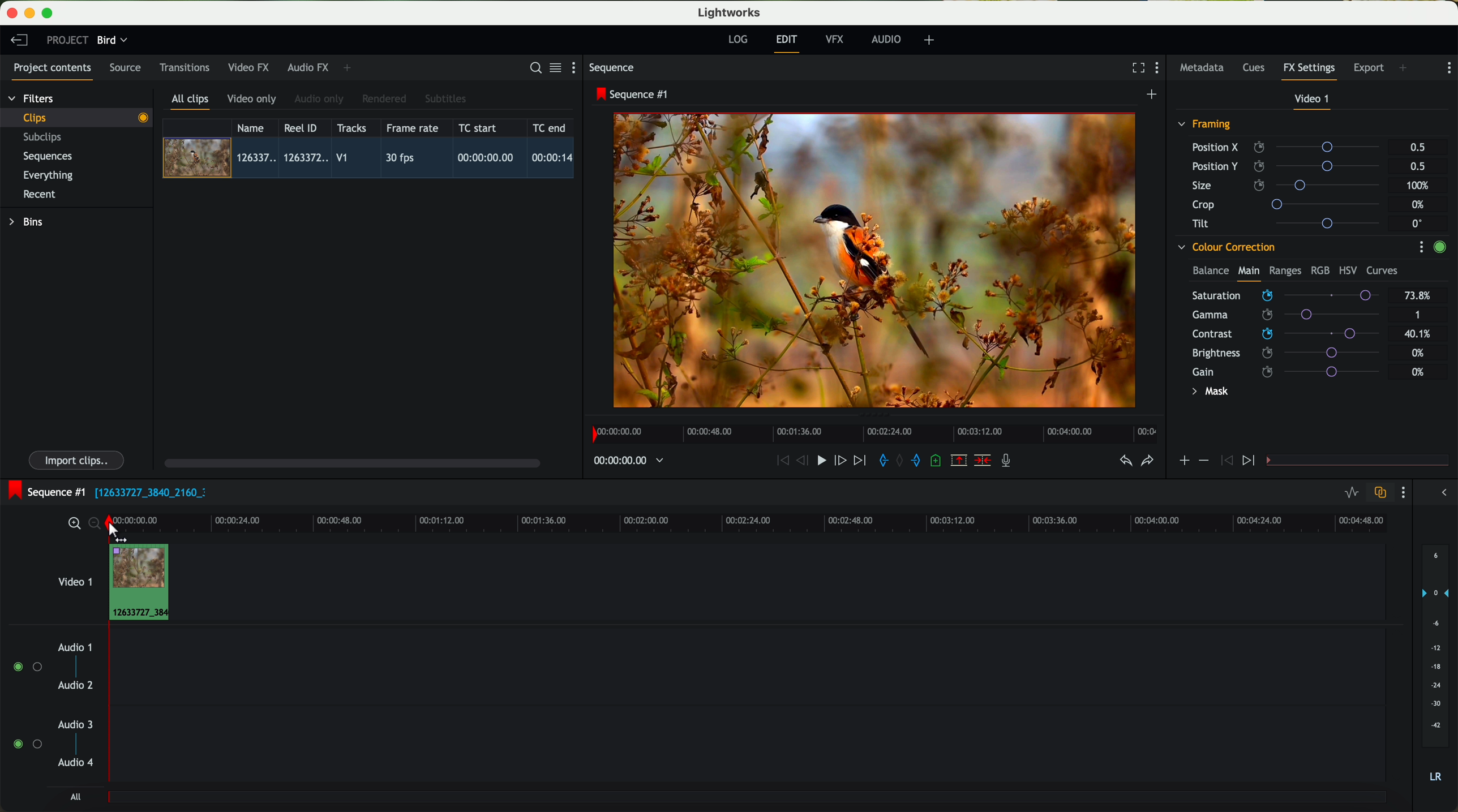 The width and height of the screenshot is (1458, 812). I want to click on gain, so click(1293, 371).